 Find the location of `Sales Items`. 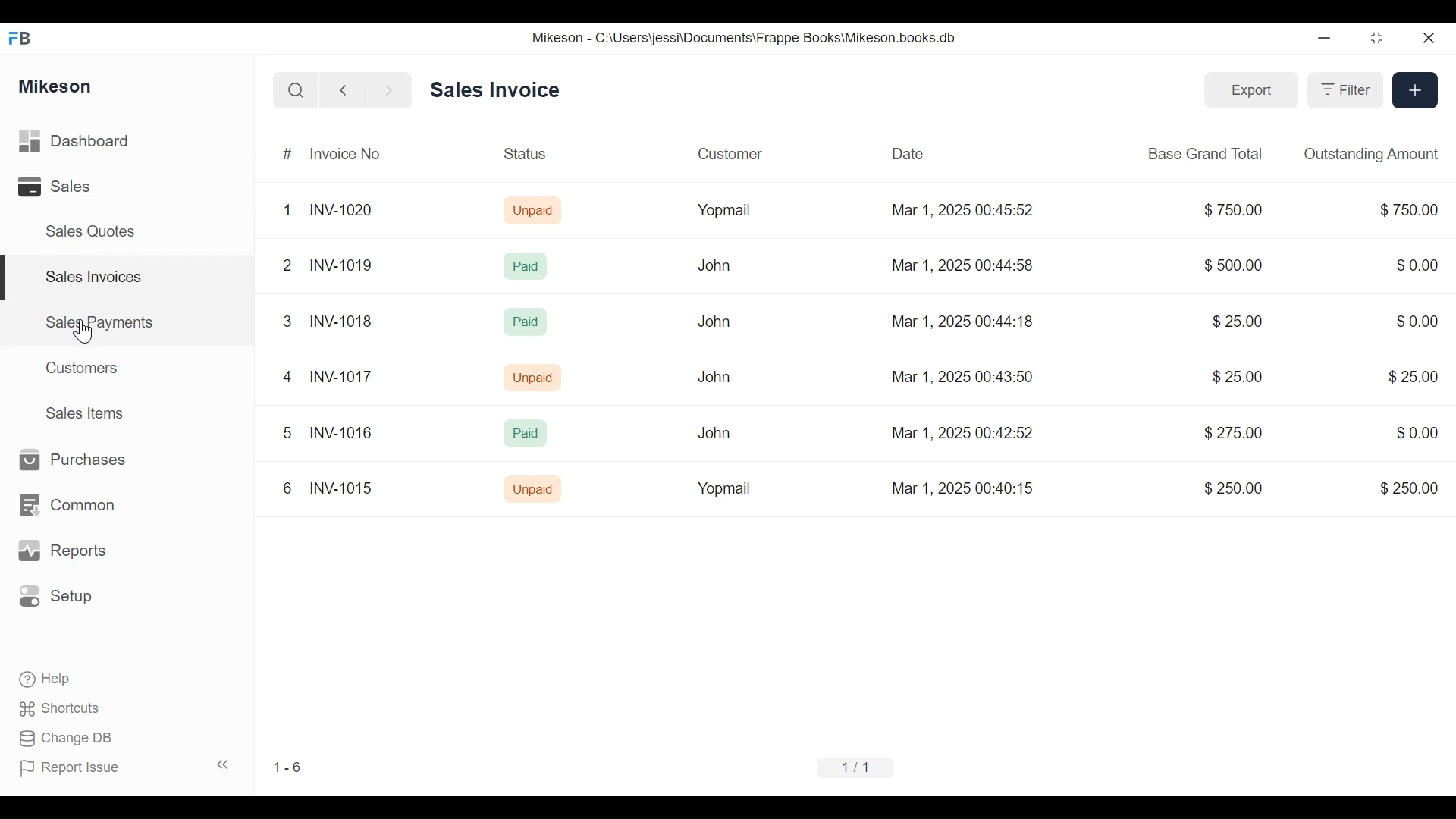

Sales Items is located at coordinates (92, 414).